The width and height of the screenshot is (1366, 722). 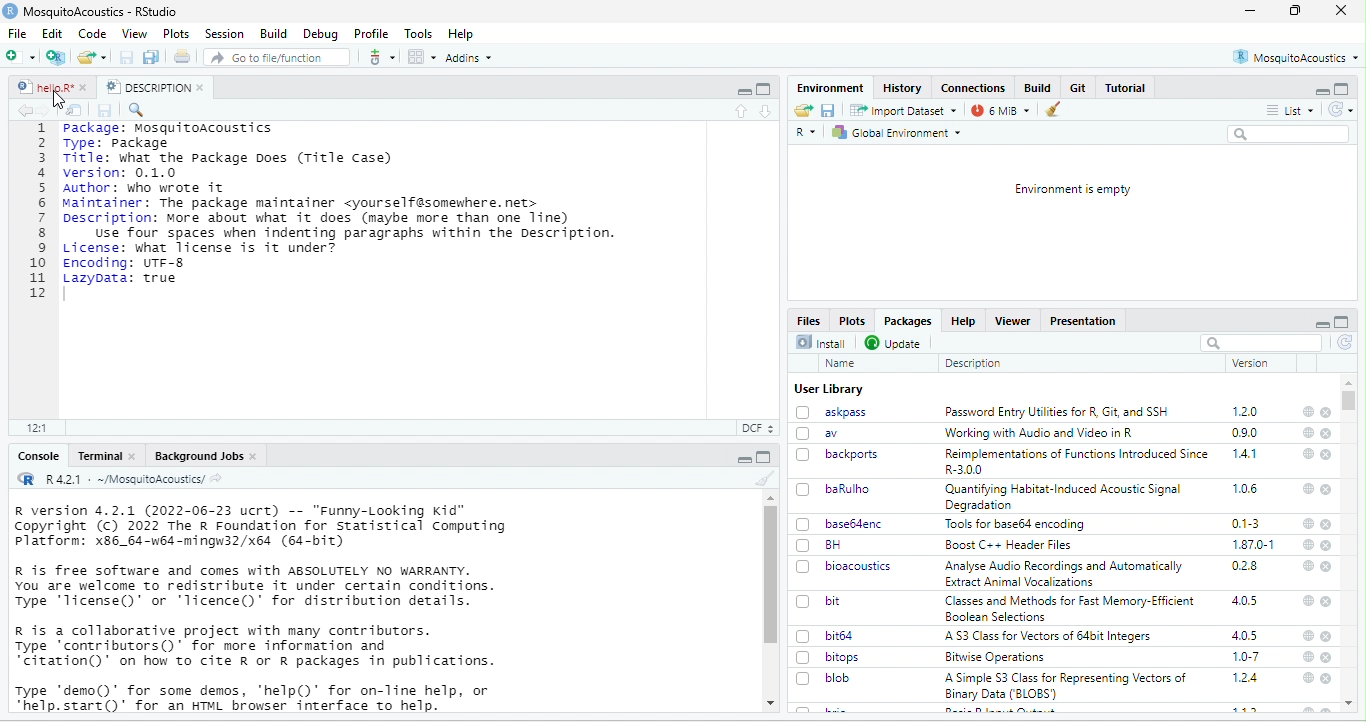 What do you see at coordinates (840, 363) in the screenshot?
I see `Name` at bounding box center [840, 363].